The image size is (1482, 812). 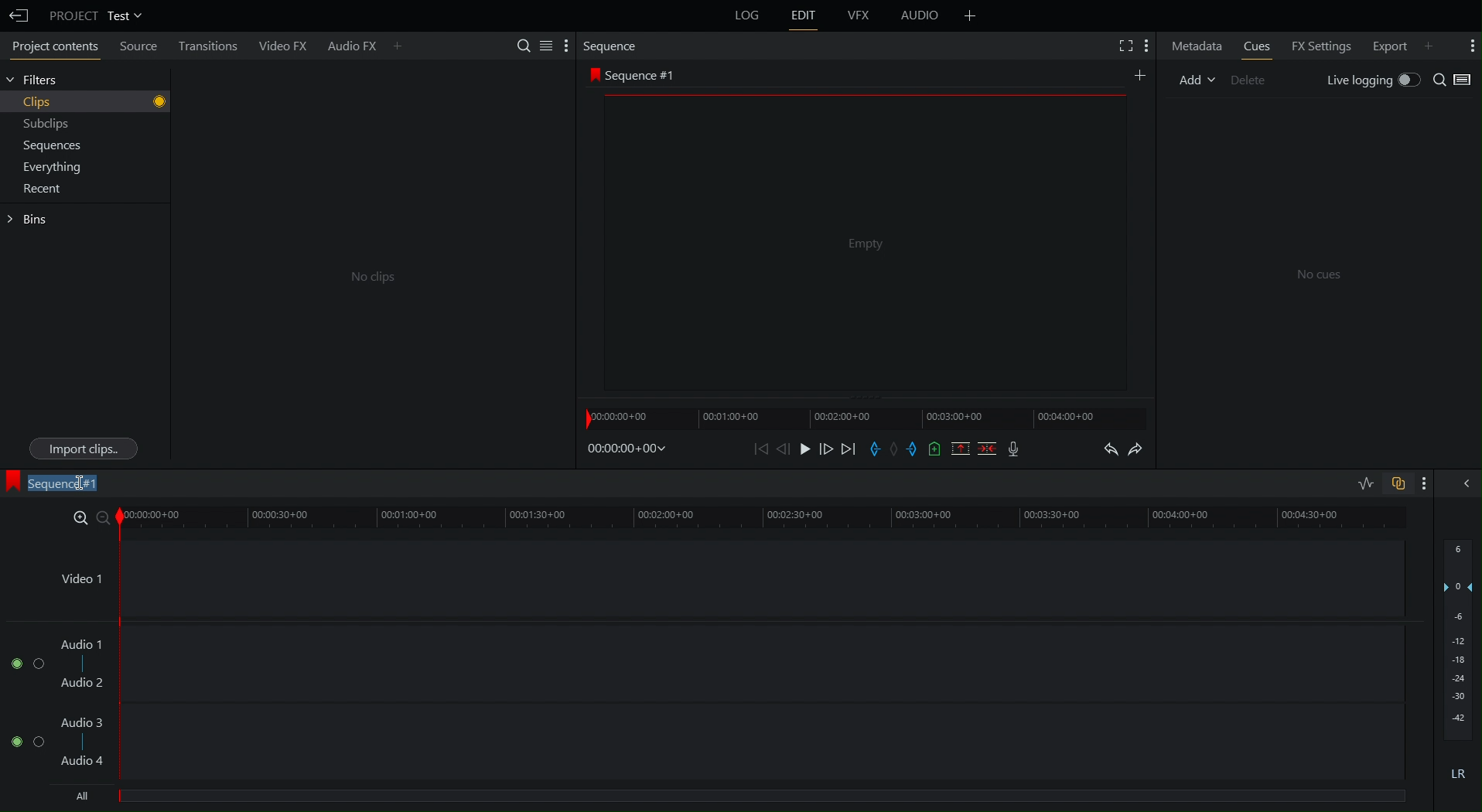 I want to click on Search, so click(x=1441, y=79).